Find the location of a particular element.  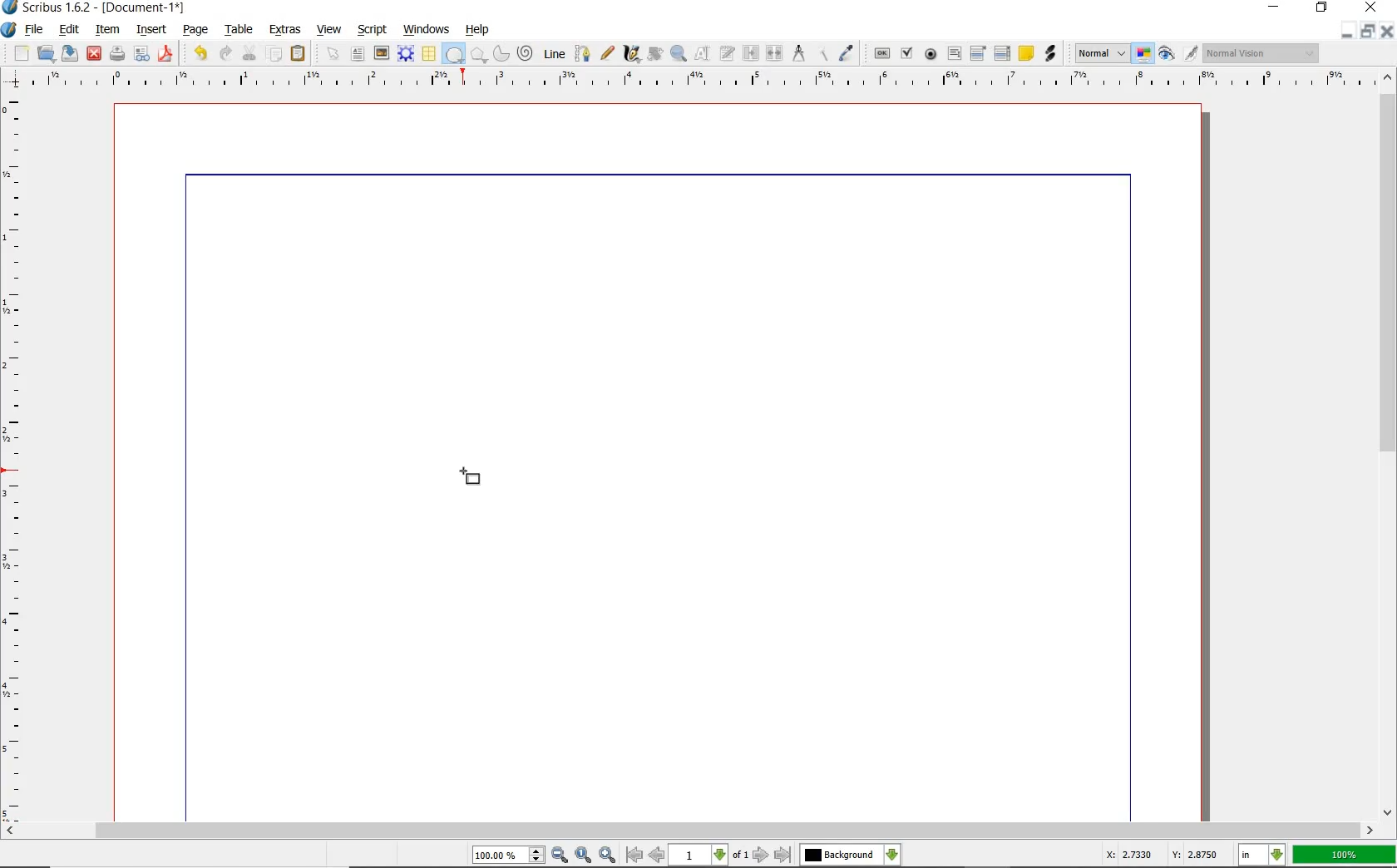

SELECT is located at coordinates (333, 55).